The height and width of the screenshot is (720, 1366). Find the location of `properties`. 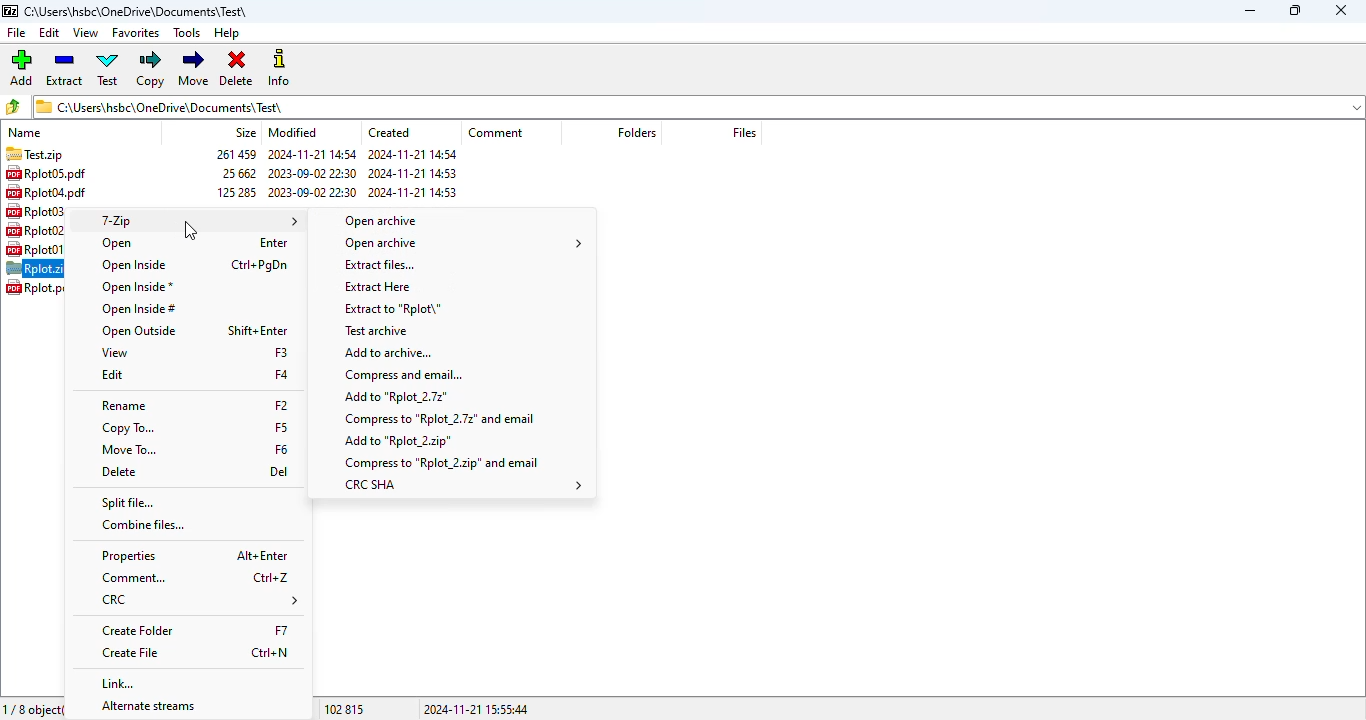

properties is located at coordinates (128, 556).